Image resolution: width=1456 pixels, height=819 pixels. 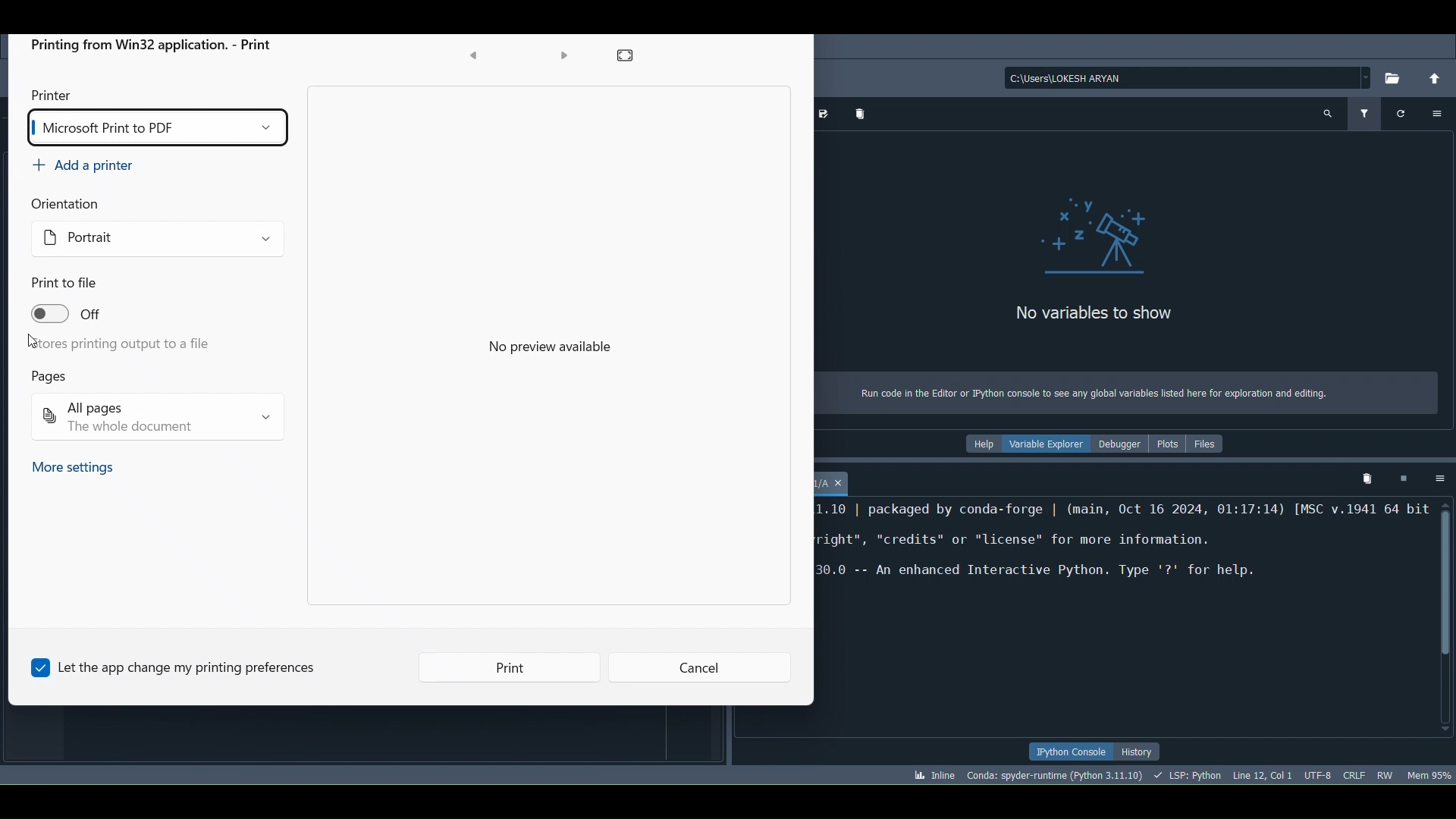 What do you see at coordinates (74, 469) in the screenshot?
I see `More settings` at bounding box center [74, 469].